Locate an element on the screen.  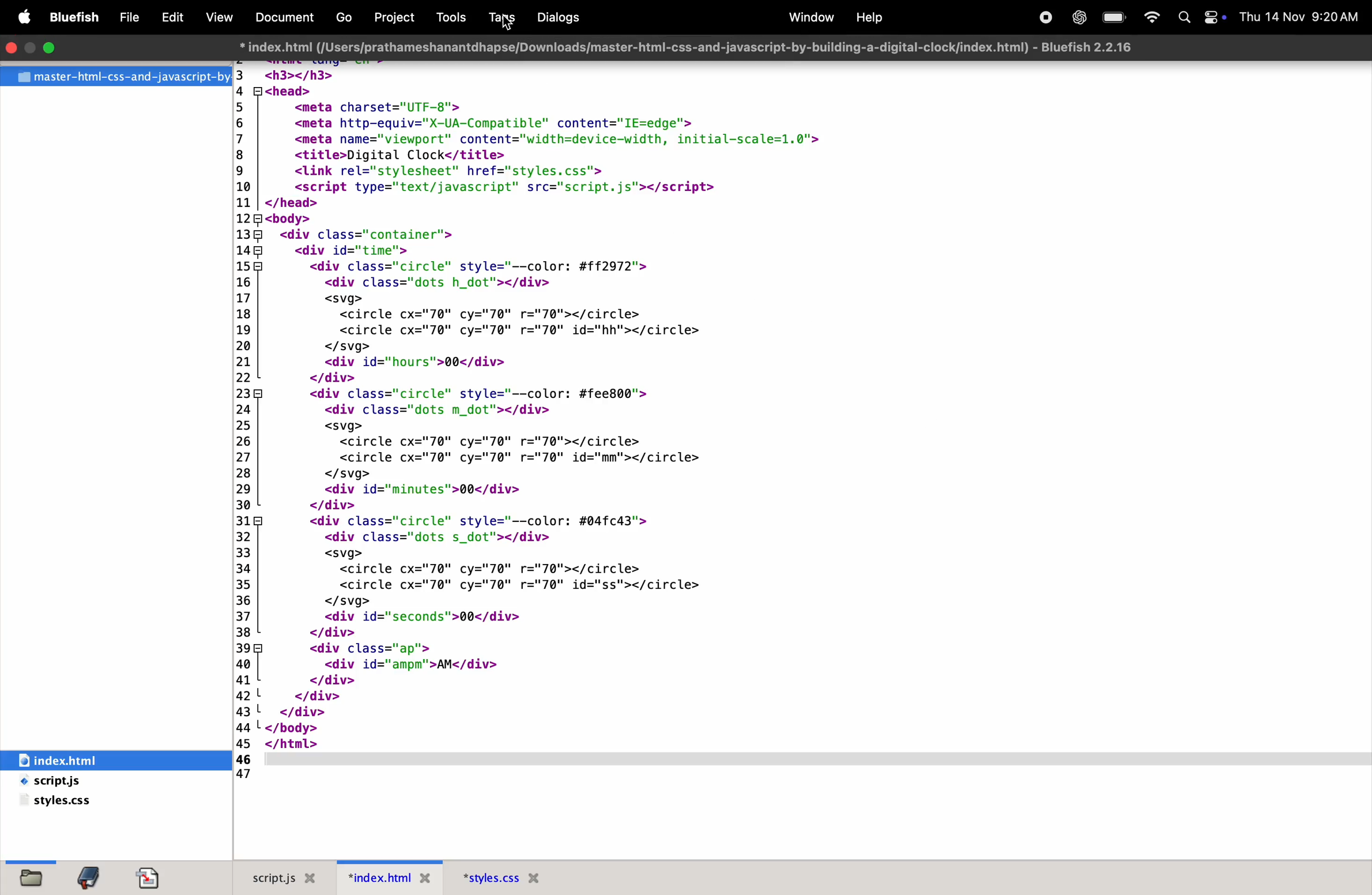
Dialogs is located at coordinates (563, 17).